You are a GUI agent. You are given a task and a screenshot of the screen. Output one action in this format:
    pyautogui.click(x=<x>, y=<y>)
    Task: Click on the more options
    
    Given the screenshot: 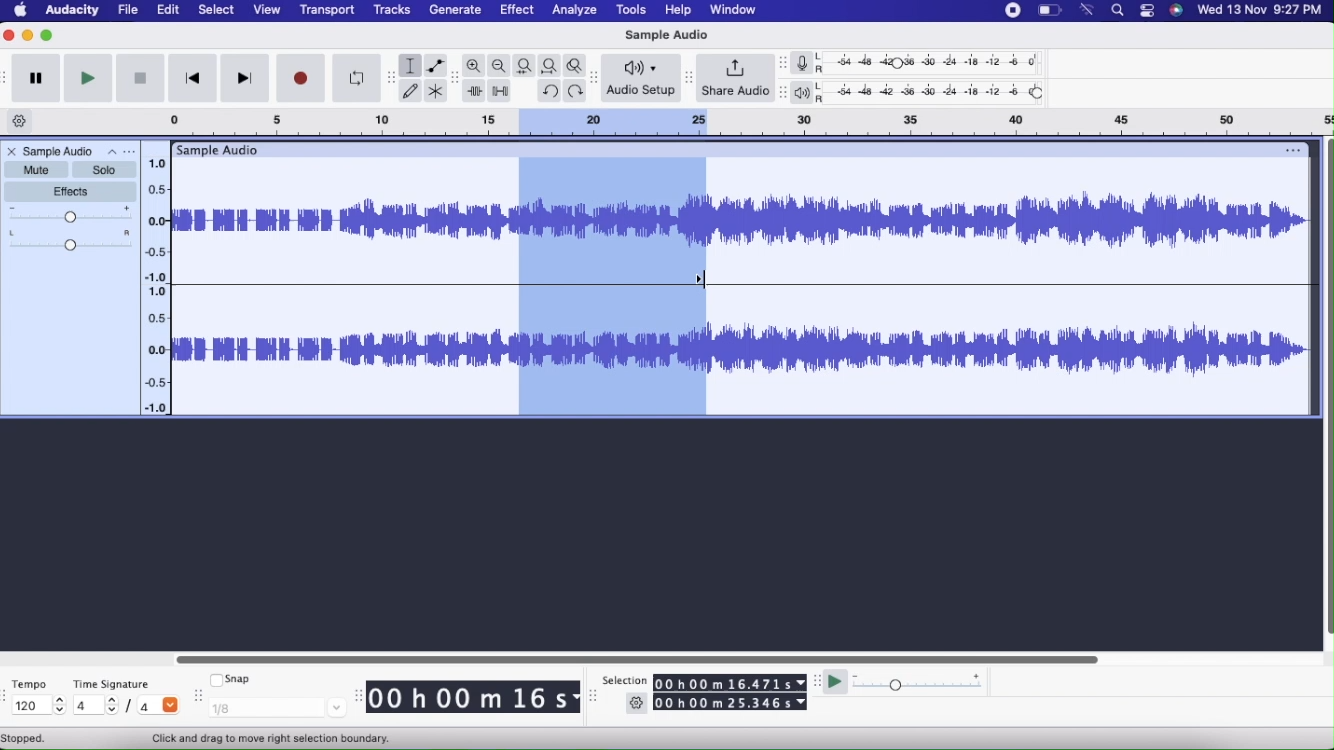 What is the action you would take?
    pyautogui.click(x=121, y=151)
    